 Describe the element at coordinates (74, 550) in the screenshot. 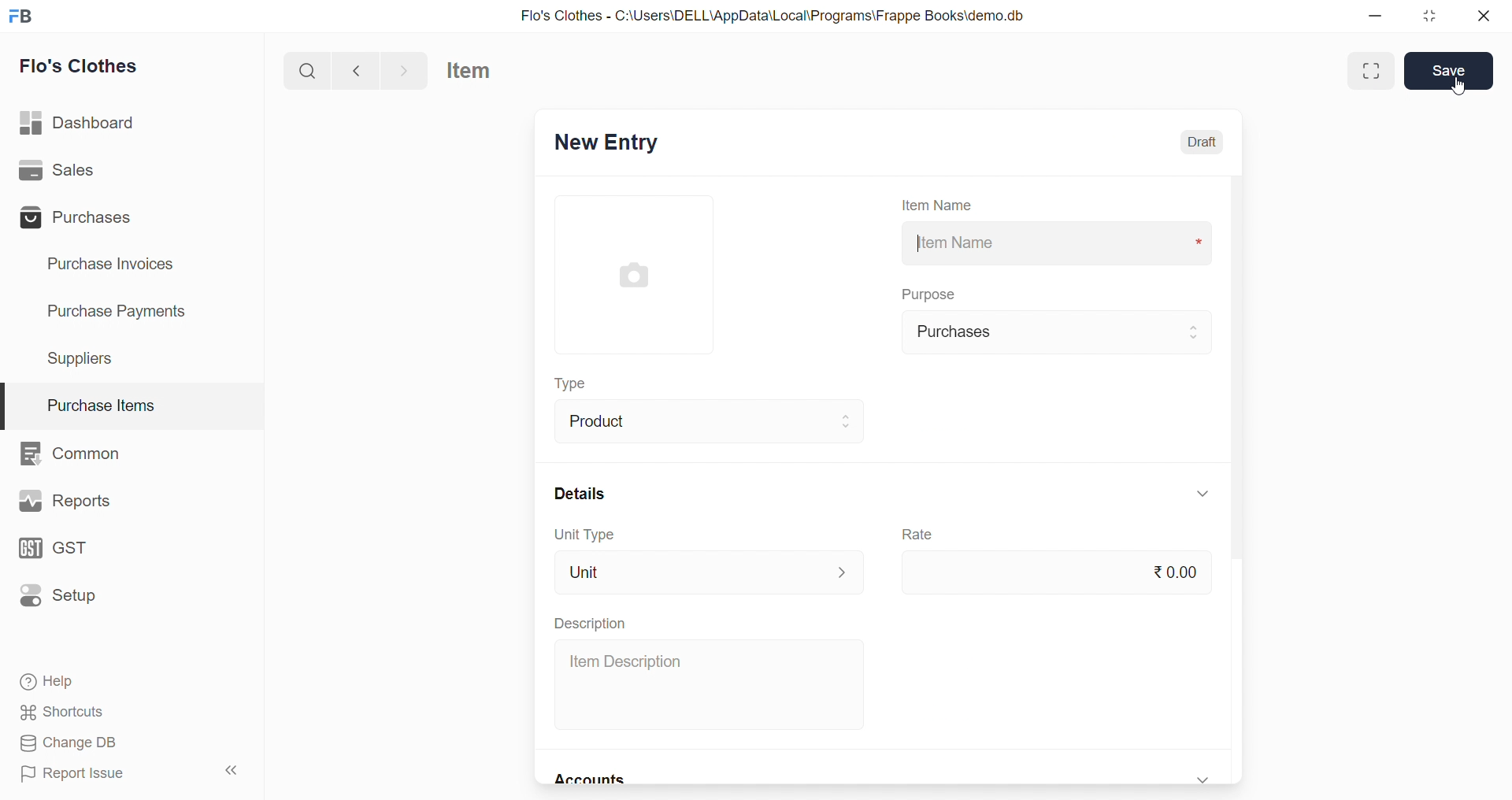

I see `GST` at that location.